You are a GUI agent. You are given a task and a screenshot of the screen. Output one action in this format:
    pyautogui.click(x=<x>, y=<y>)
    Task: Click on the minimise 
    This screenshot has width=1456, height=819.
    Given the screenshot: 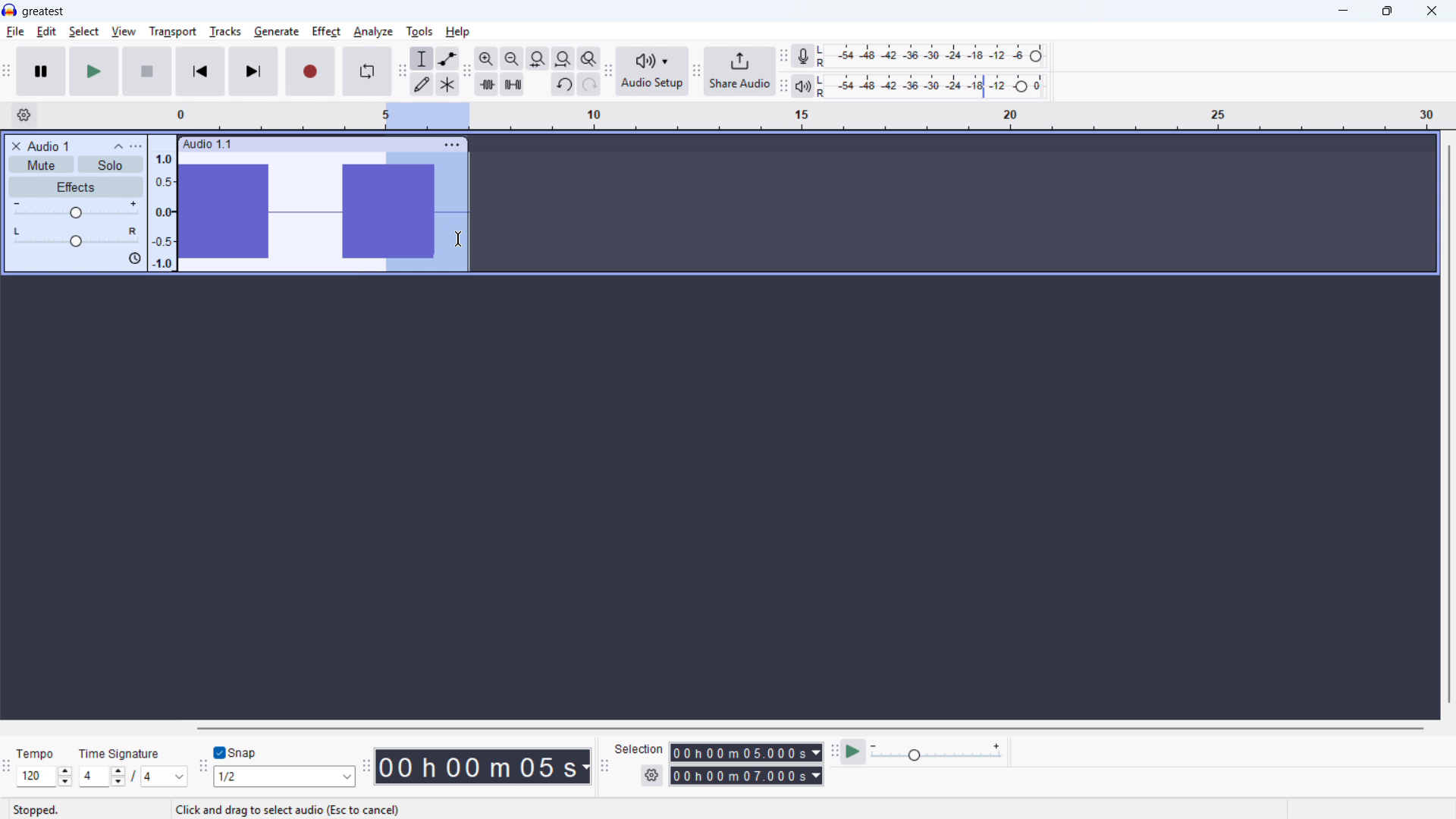 What is the action you would take?
    pyautogui.click(x=1345, y=11)
    